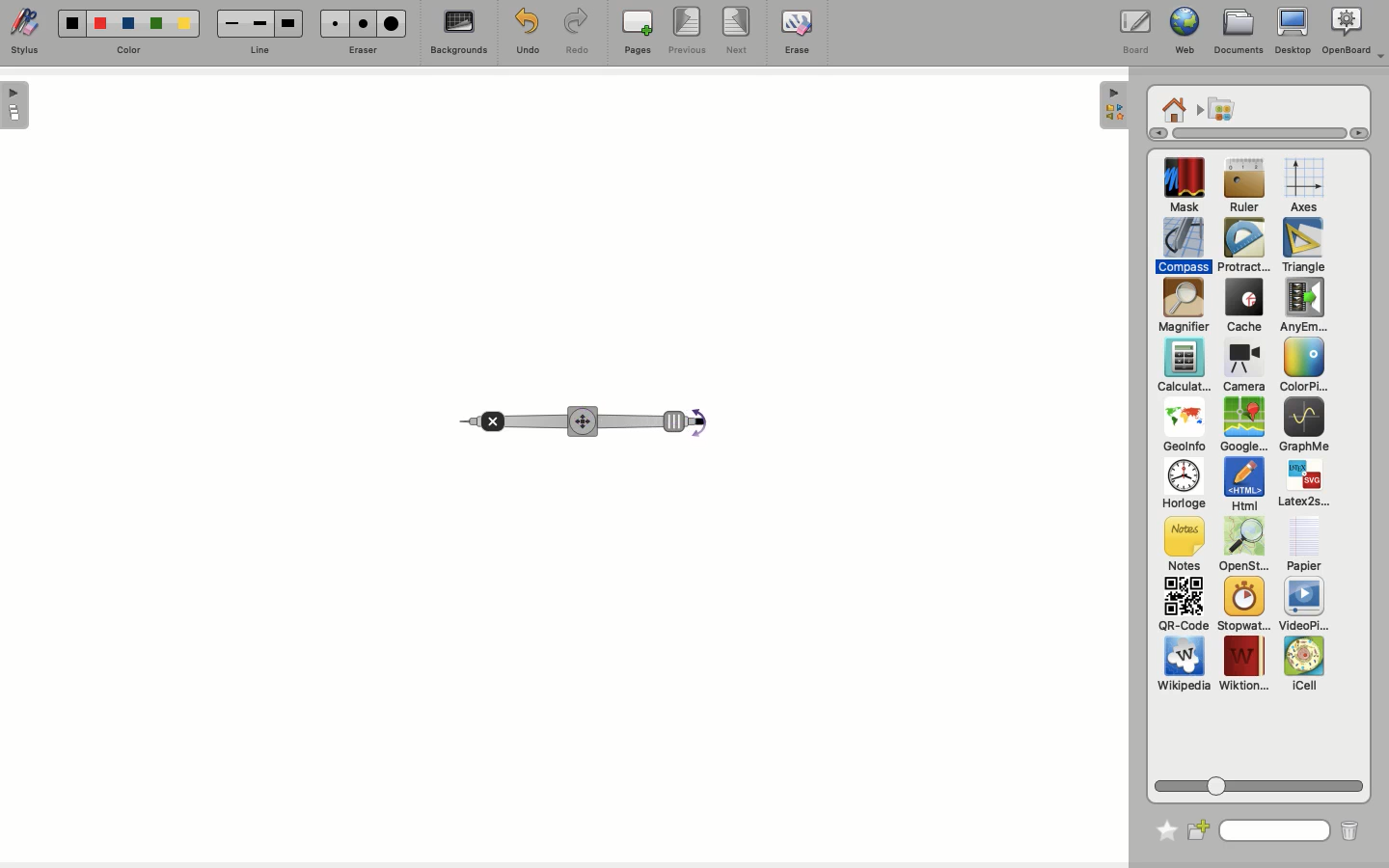  What do you see at coordinates (1304, 605) in the screenshot?
I see `VideoPlayer` at bounding box center [1304, 605].